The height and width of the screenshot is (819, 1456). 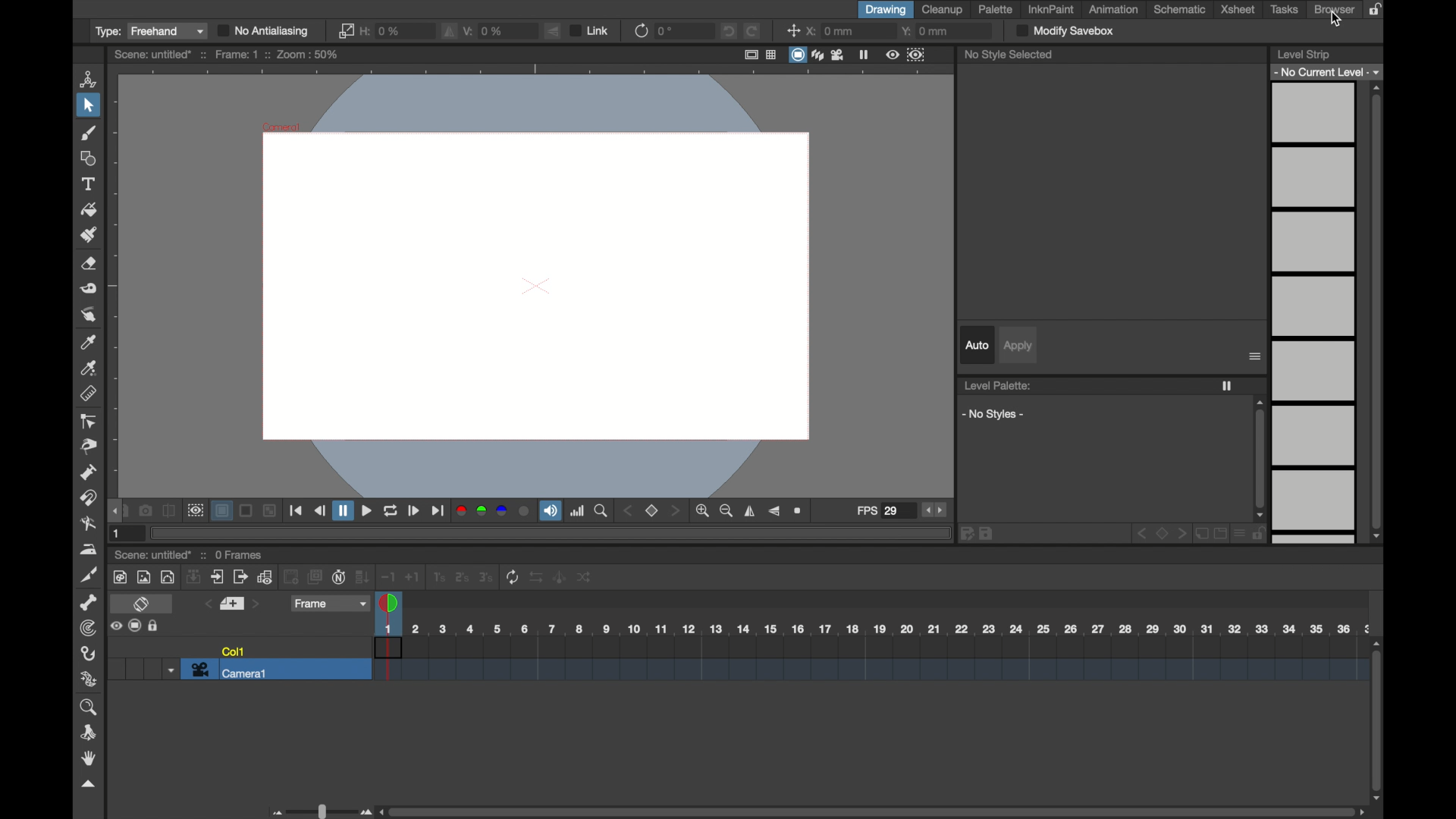 What do you see at coordinates (90, 447) in the screenshot?
I see `pinch tool` at bounding box center [90, 447].